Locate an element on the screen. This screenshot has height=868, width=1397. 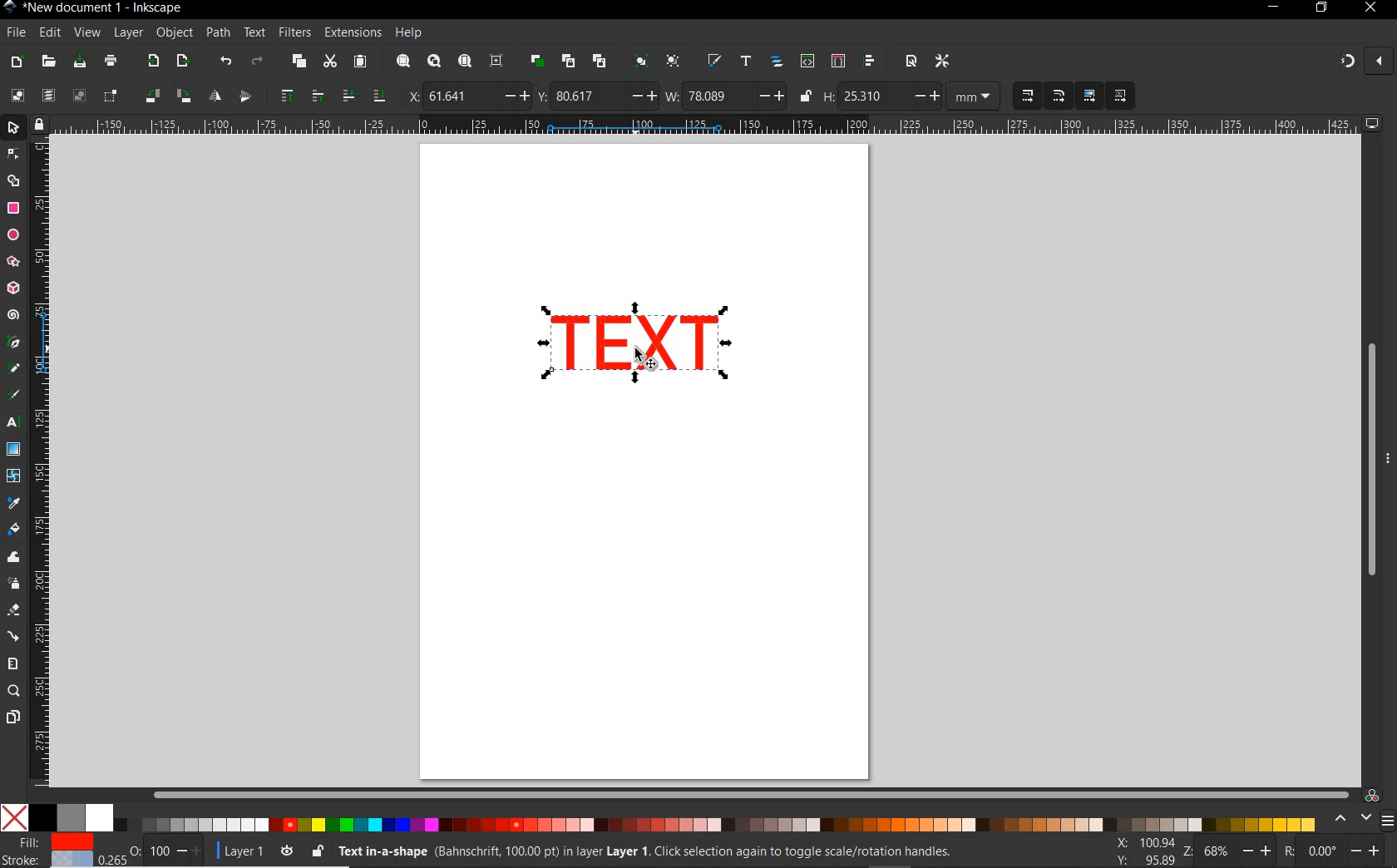
view is located at coordinates (86, 32).